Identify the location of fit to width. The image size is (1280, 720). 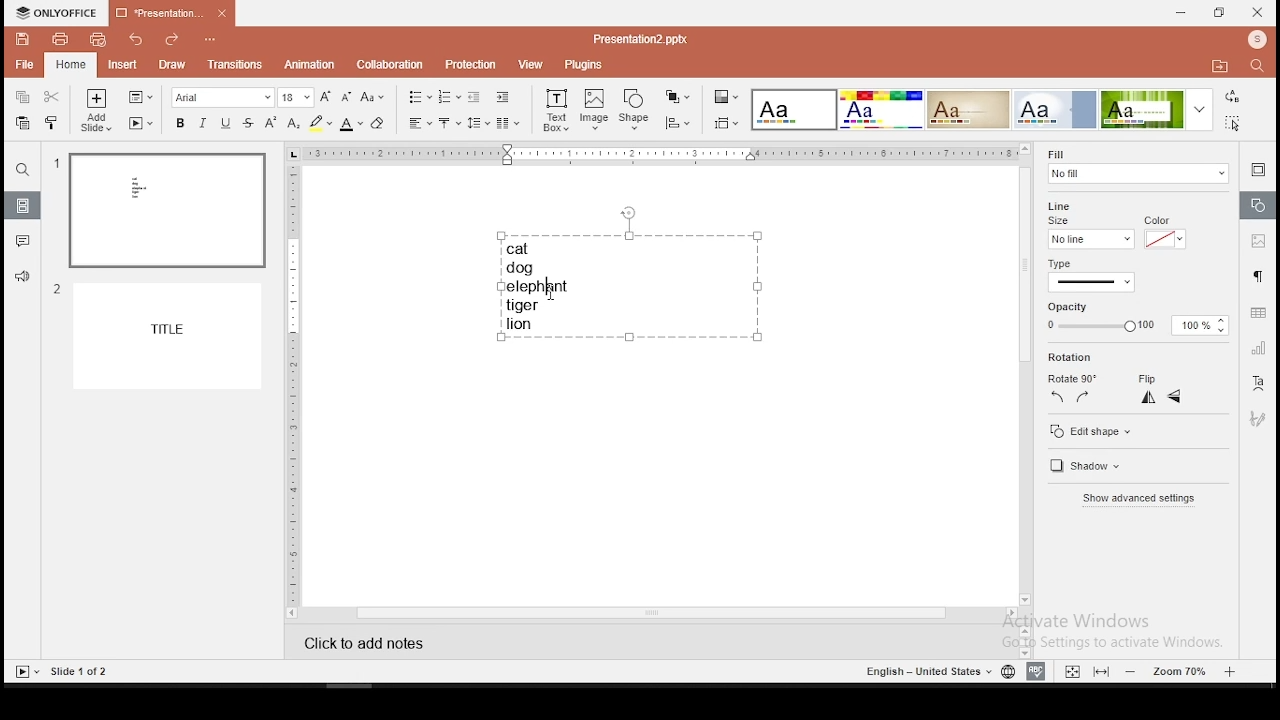
(1069, 670).